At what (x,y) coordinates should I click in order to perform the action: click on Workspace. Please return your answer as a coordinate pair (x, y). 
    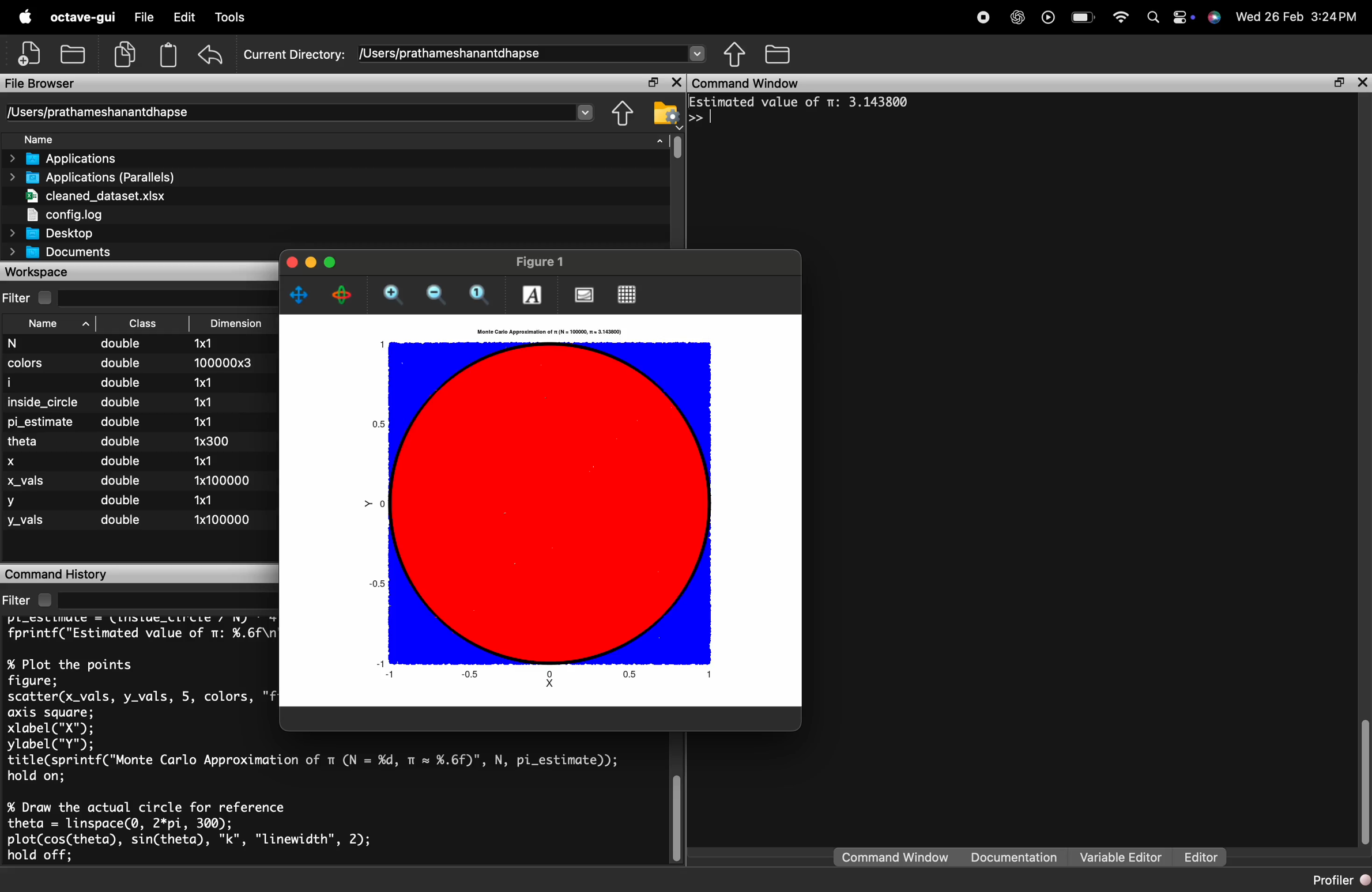
    Looking at the image, I should click on (45, 271).